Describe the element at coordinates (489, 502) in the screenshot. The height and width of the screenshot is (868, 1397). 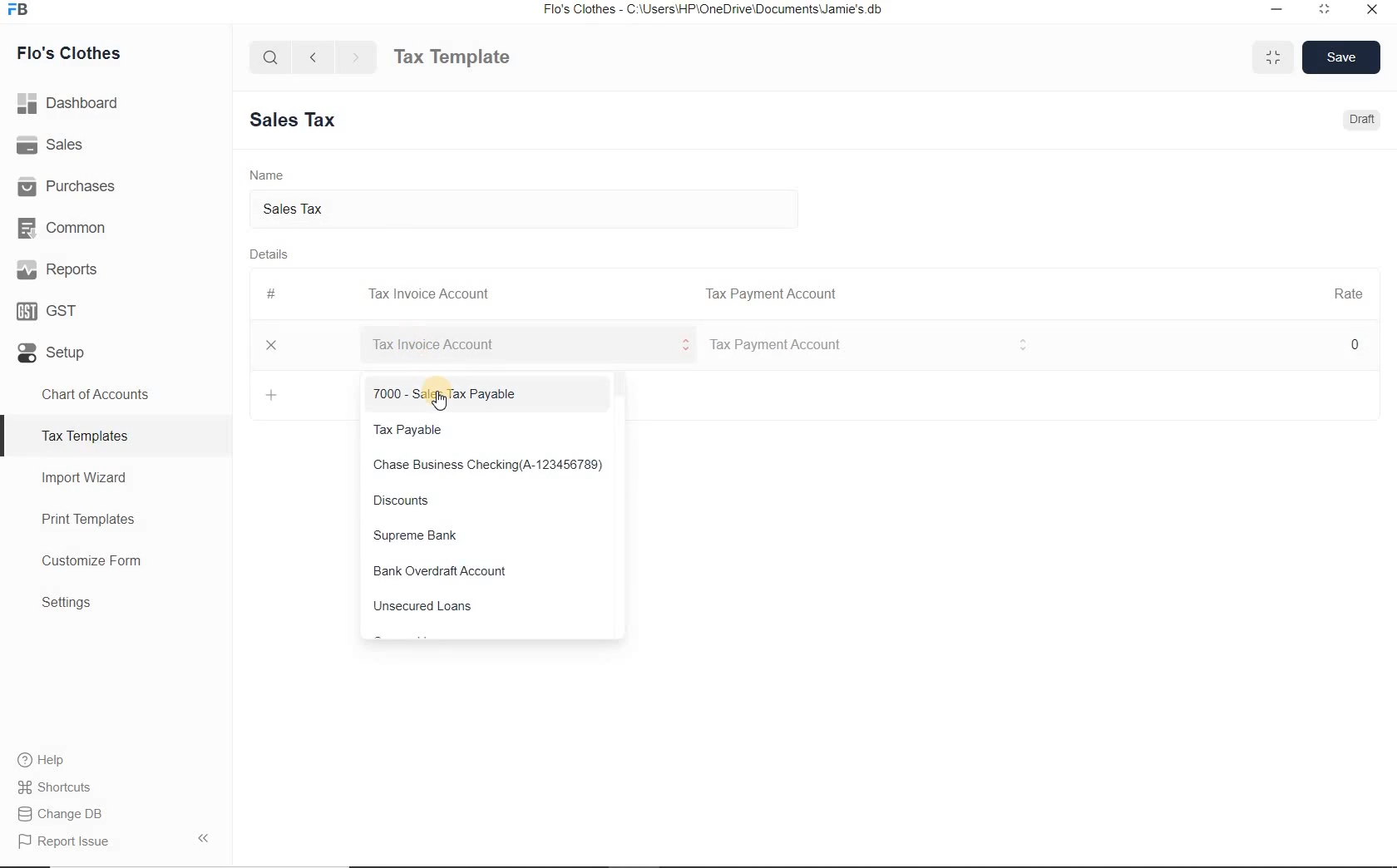
I see `Discounts.` at that location.